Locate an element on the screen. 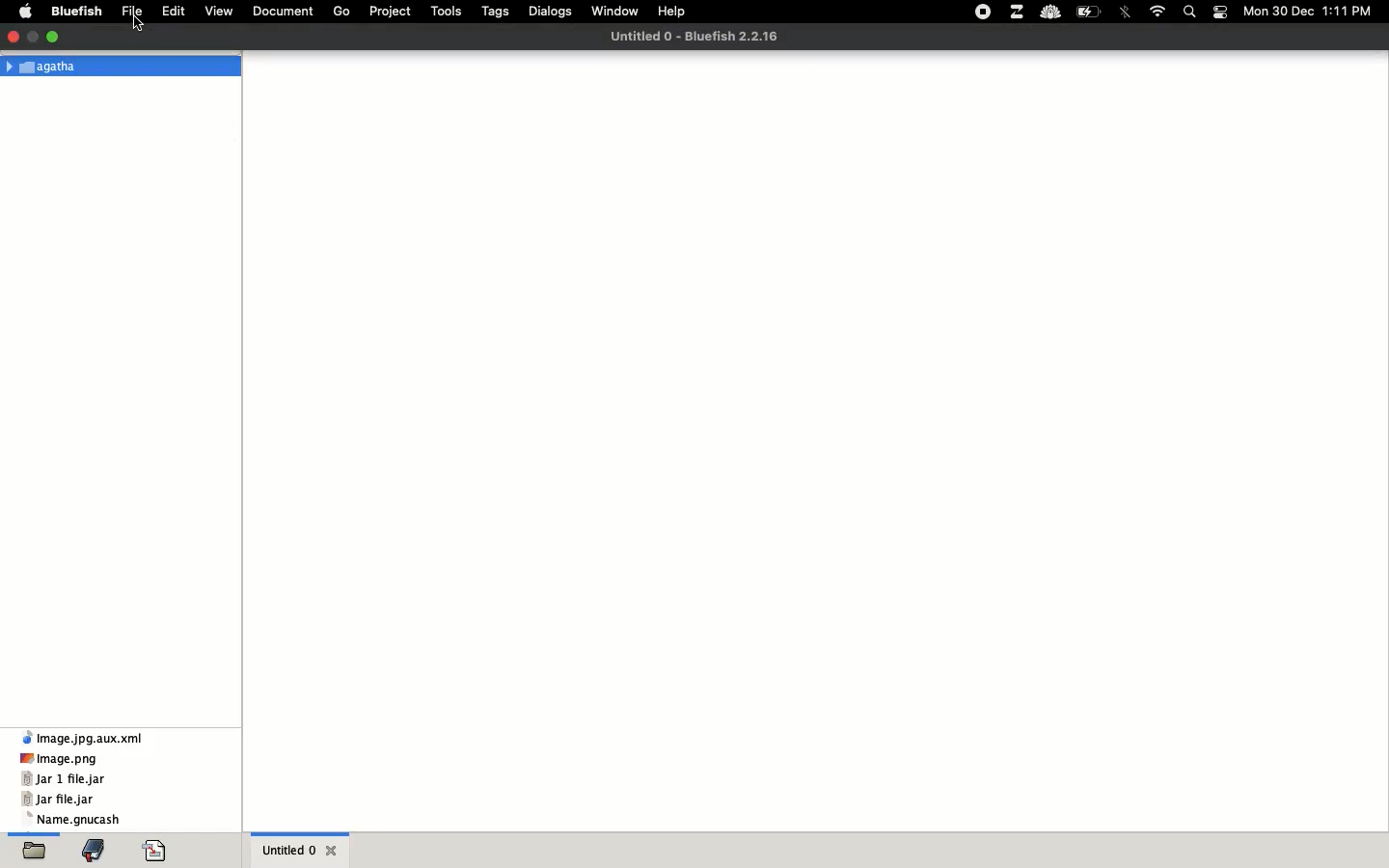 The height and width of the screenshot is (868, 1389). project is located at coordinates (390, 12).